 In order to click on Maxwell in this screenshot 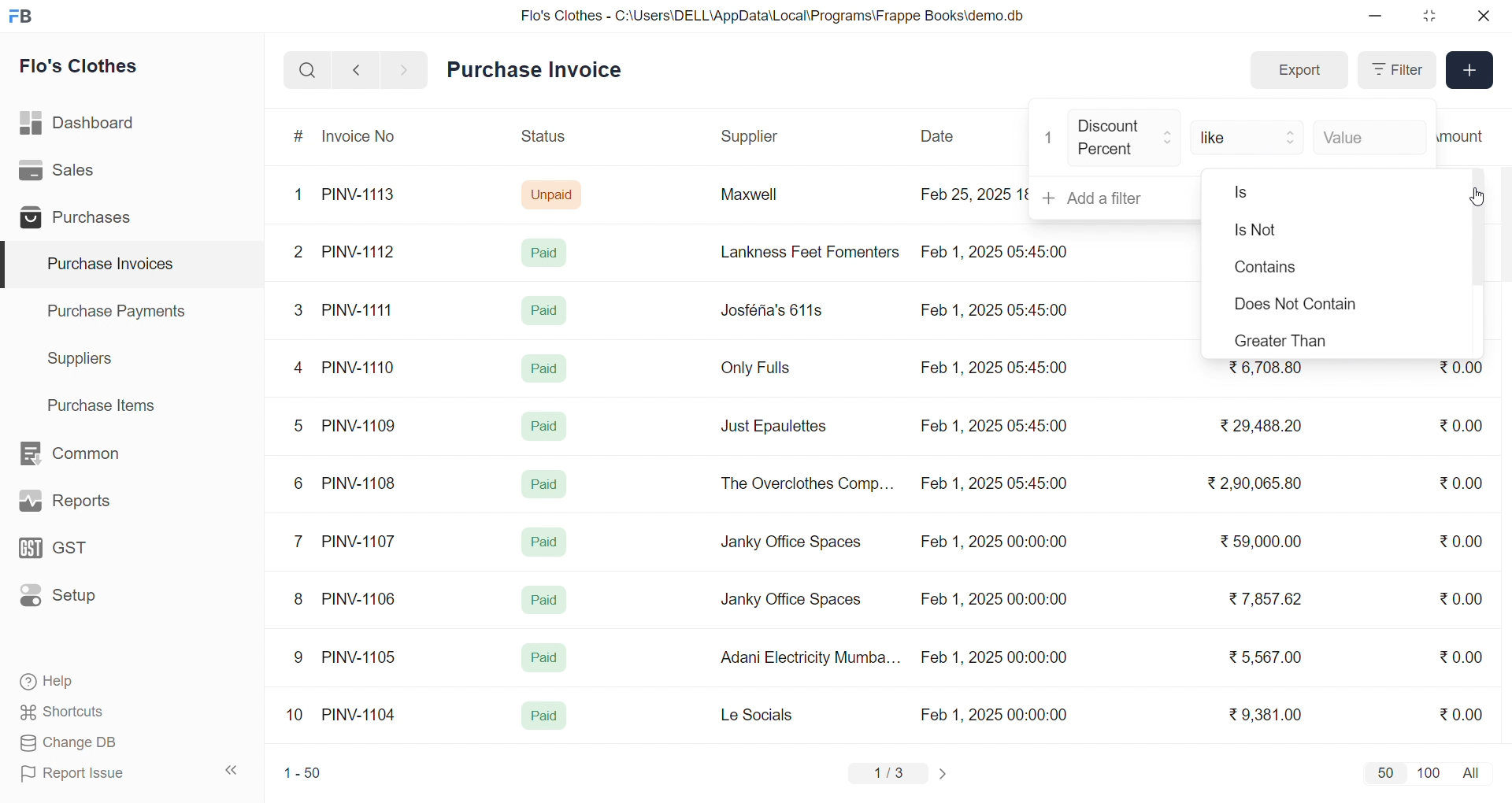, I will do `click(767, 200)`.